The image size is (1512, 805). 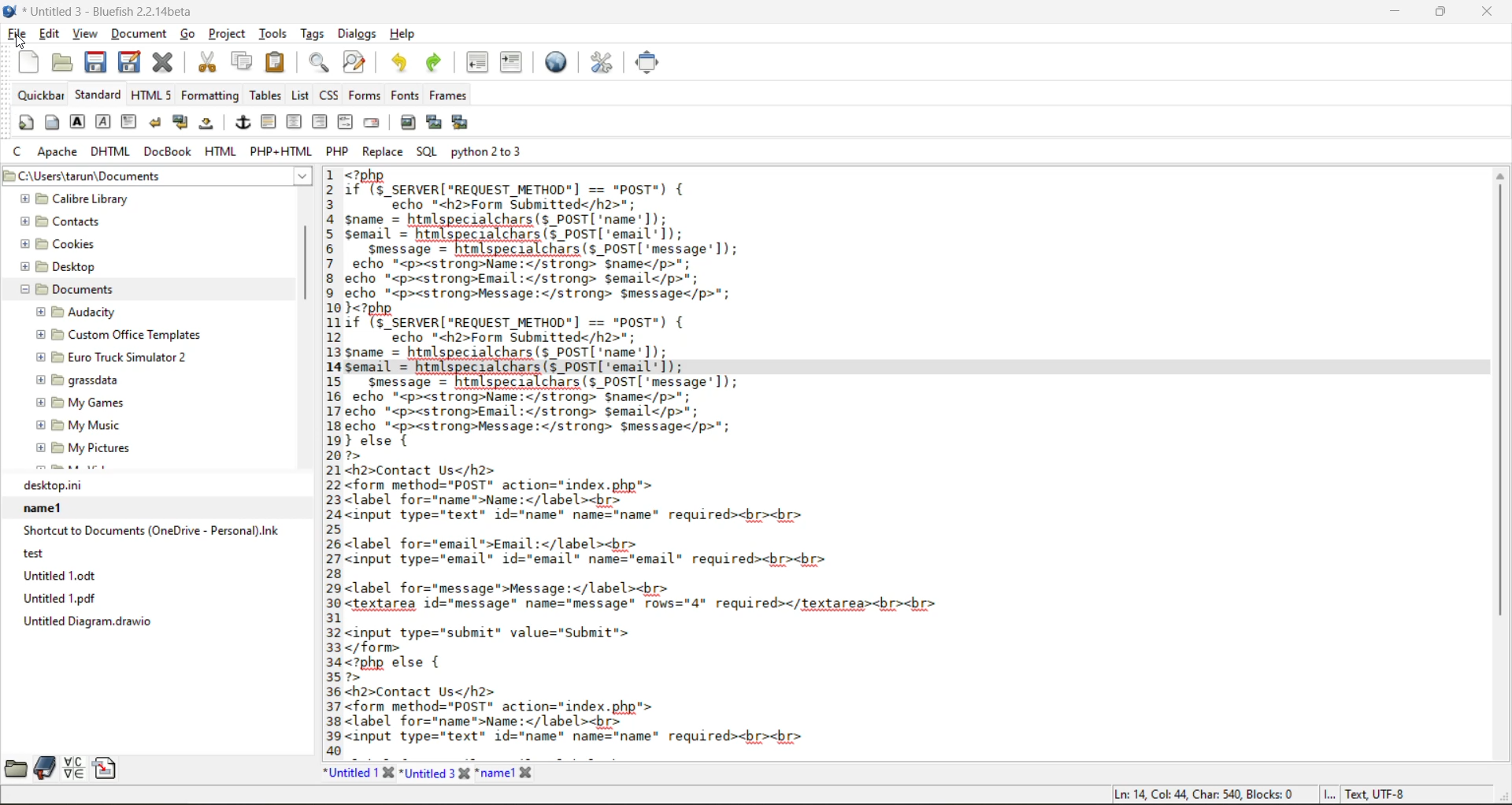 What do you see at coordinates (103, 122) in the screenshot?
I see `emphasis` at bounding box center [103, 122].